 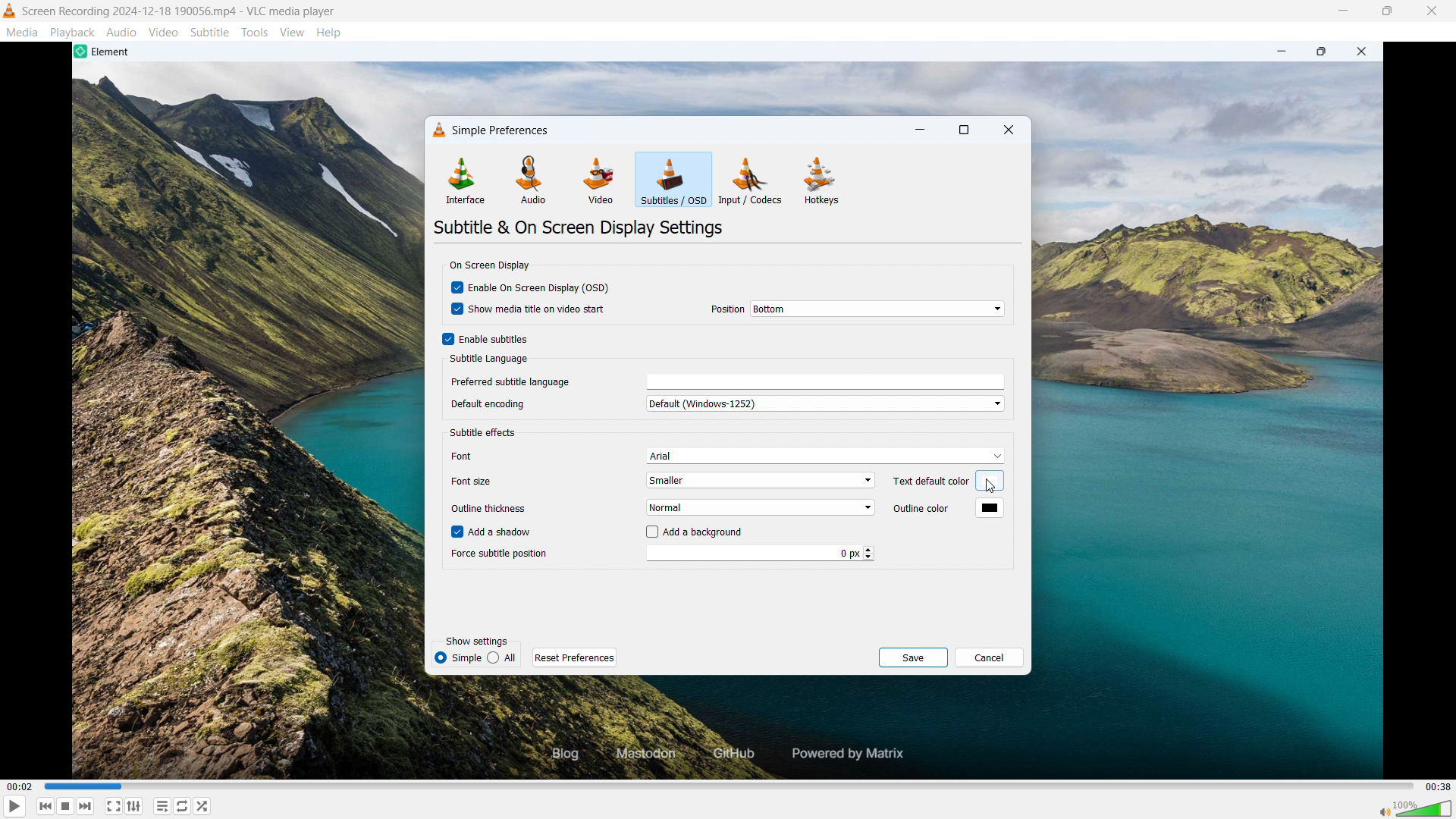 What do you see at coordinates (486, 359) in the screenshot?
I see `Subtitle language ` at bounding box center [486, 359].